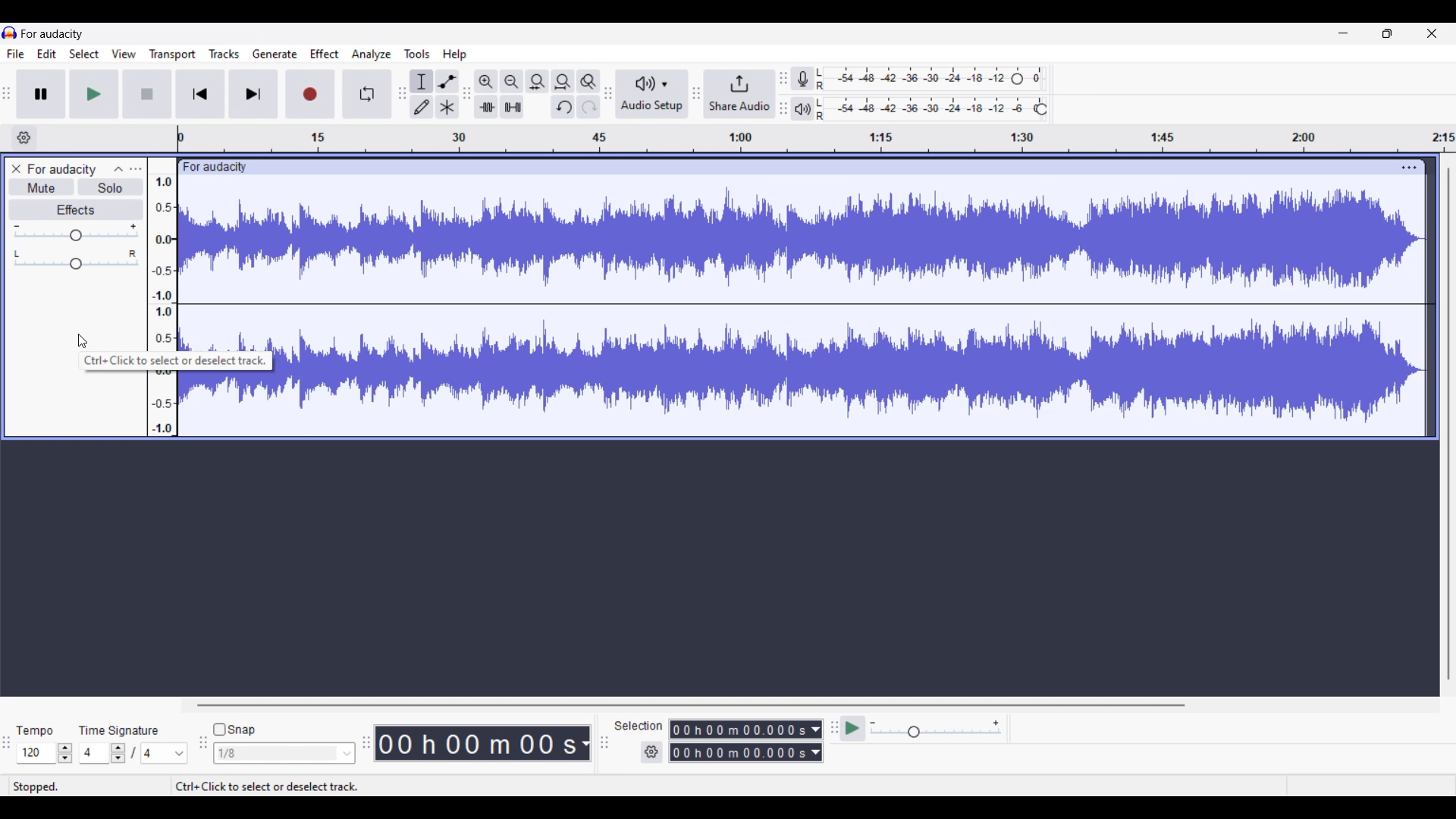  What do you see at coordinates (922, 728) in the screenshot?
I see `Playback speed settings ` at bounding box center [922, 728].